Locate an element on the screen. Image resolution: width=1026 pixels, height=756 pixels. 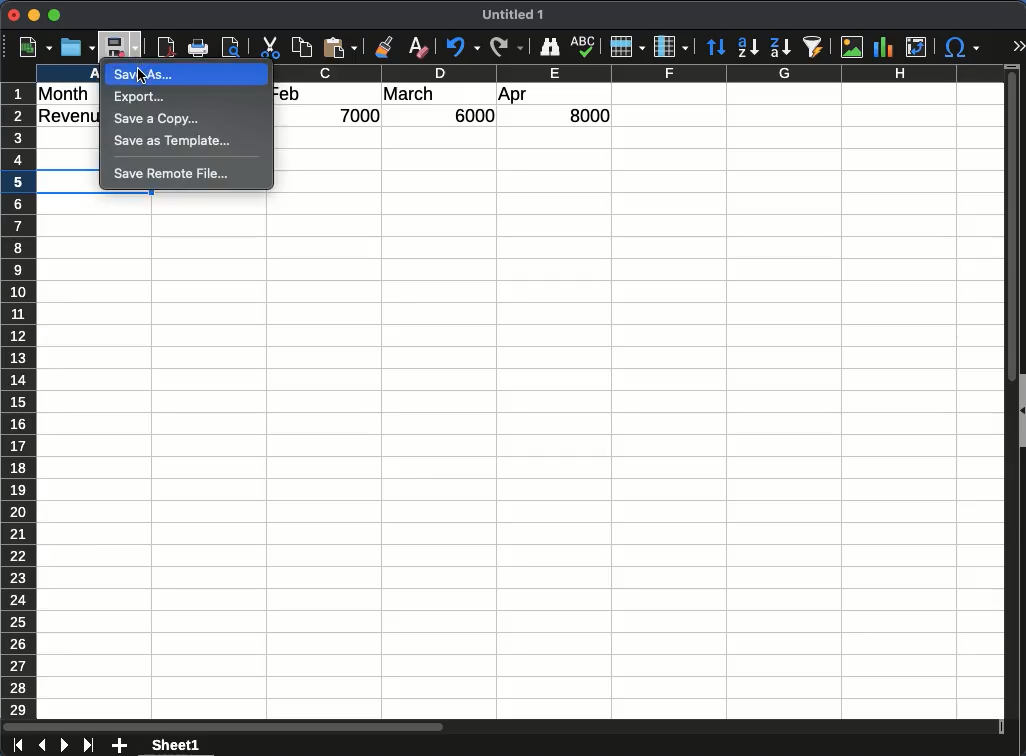
previous sheet is located at coordinates (40, 746).